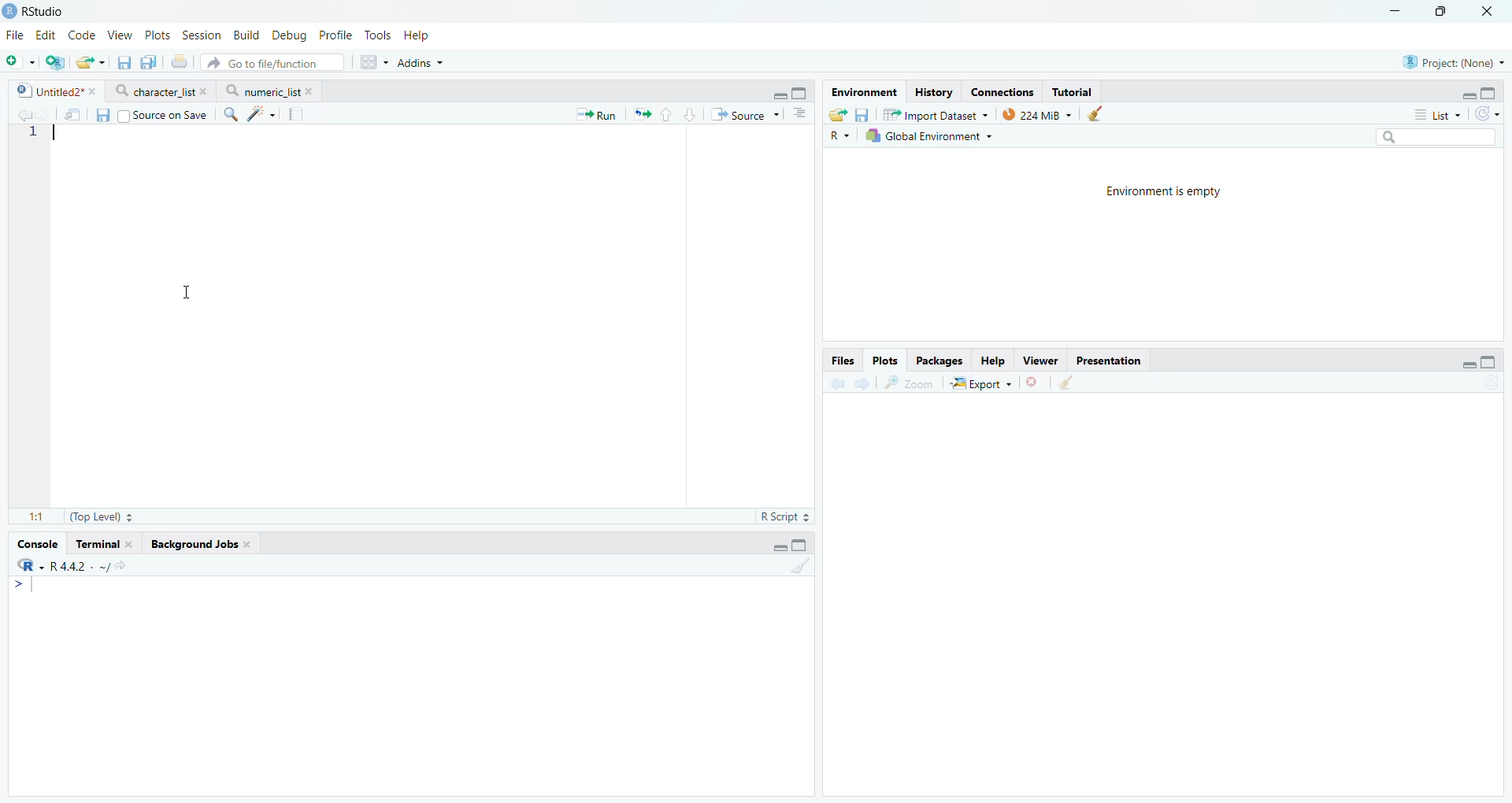 The image size is (1512, 803). What do you see at coordinates (1002, 91) in the screenshot?
I see `Connections` at bounding box center [1002, 91].